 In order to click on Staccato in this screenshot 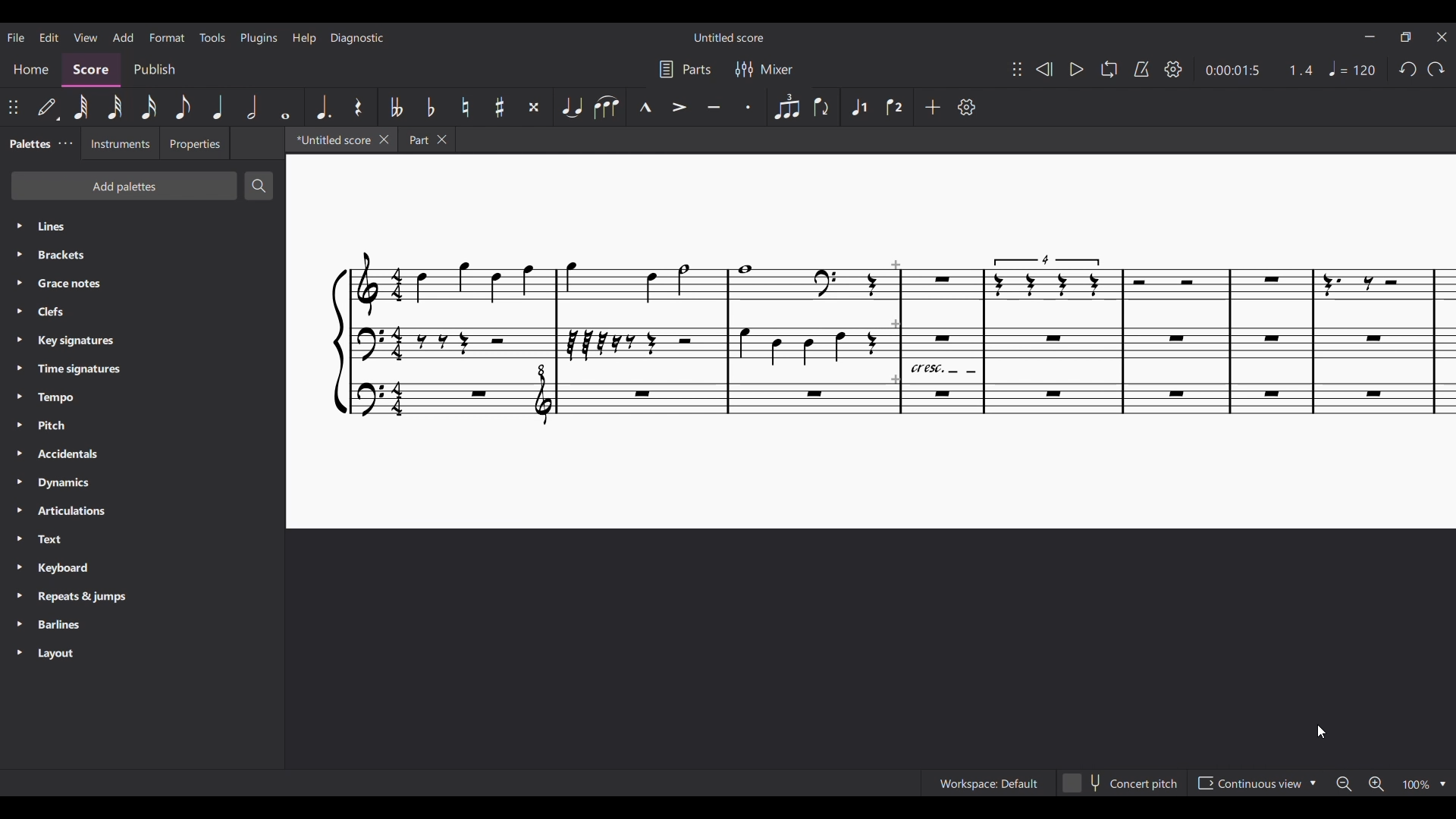, I will do `click(751, 107)`.